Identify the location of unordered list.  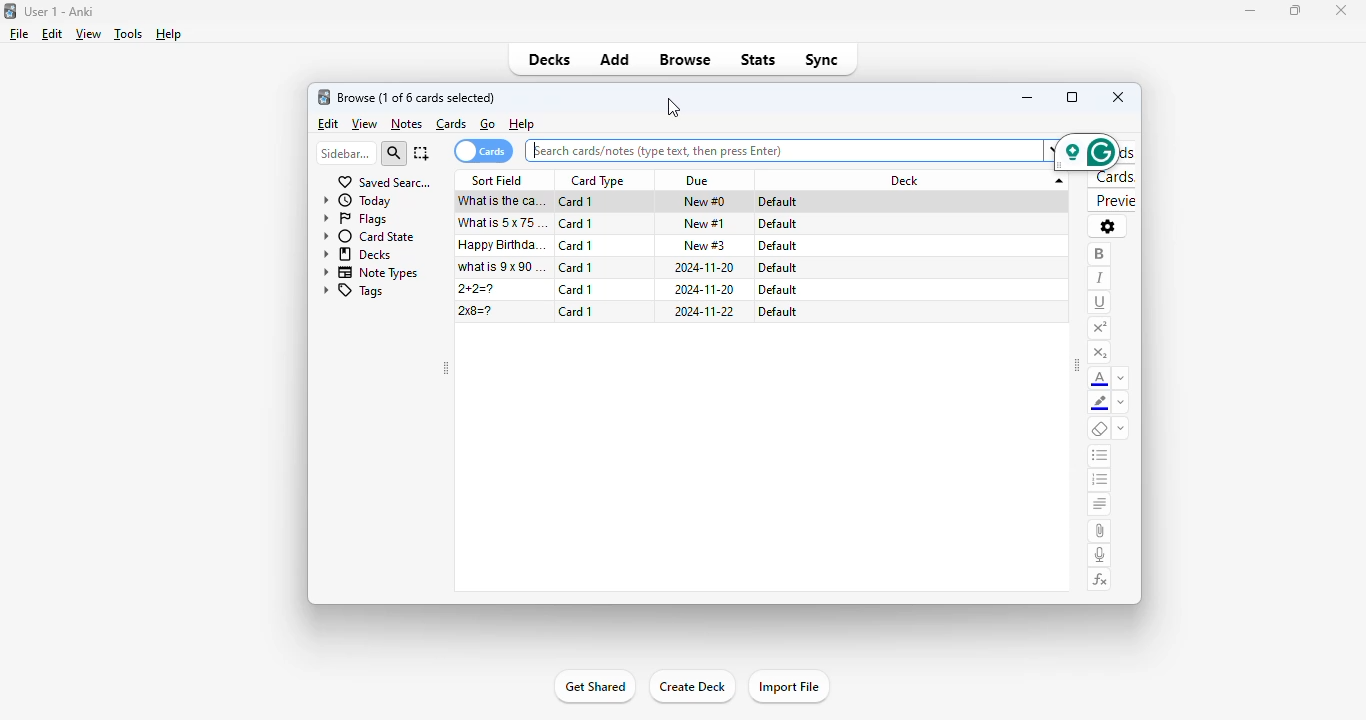
(1100, 457).